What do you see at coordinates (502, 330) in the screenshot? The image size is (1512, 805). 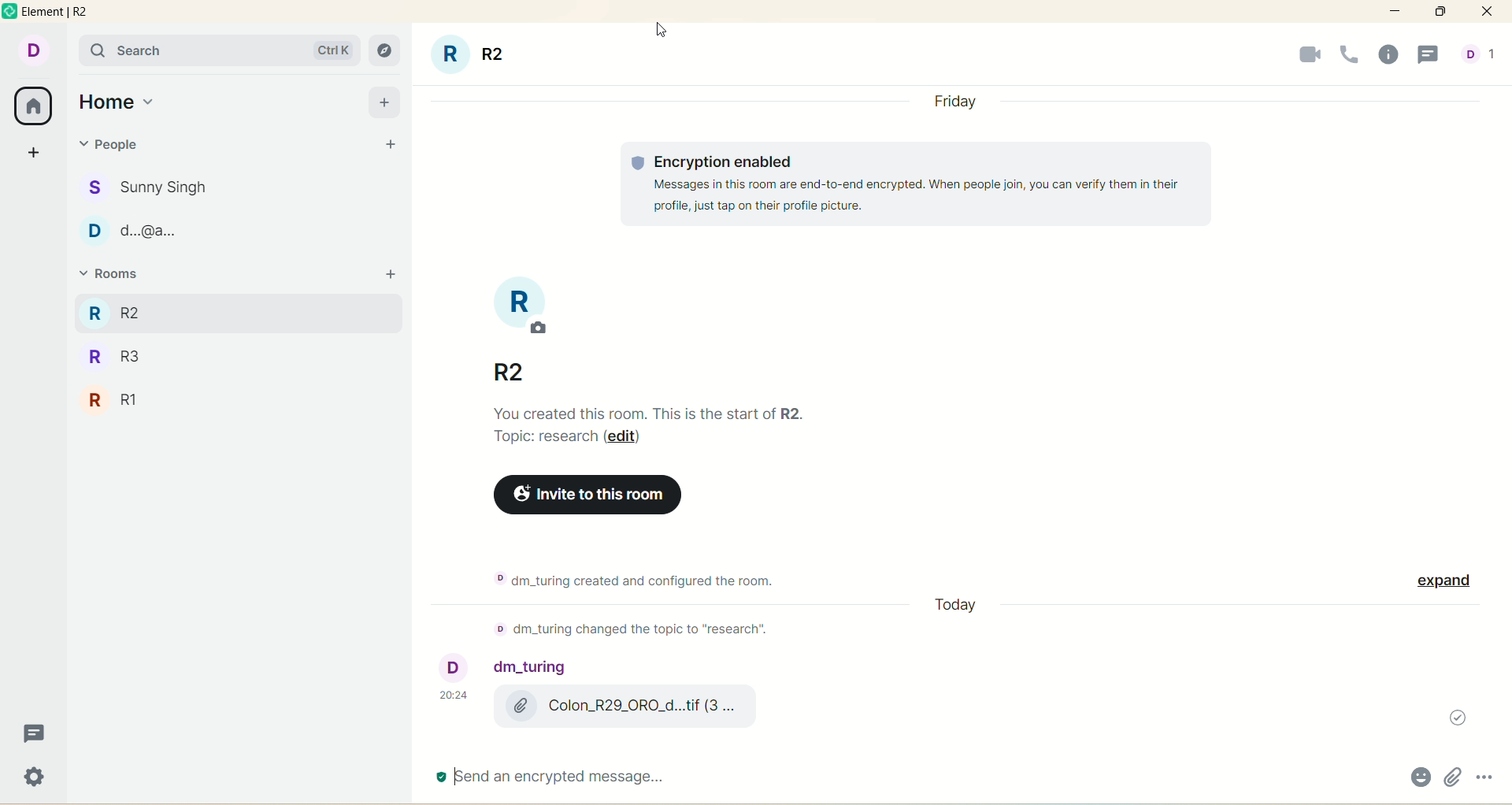 I see `room name` at bounding box center [502, 330].